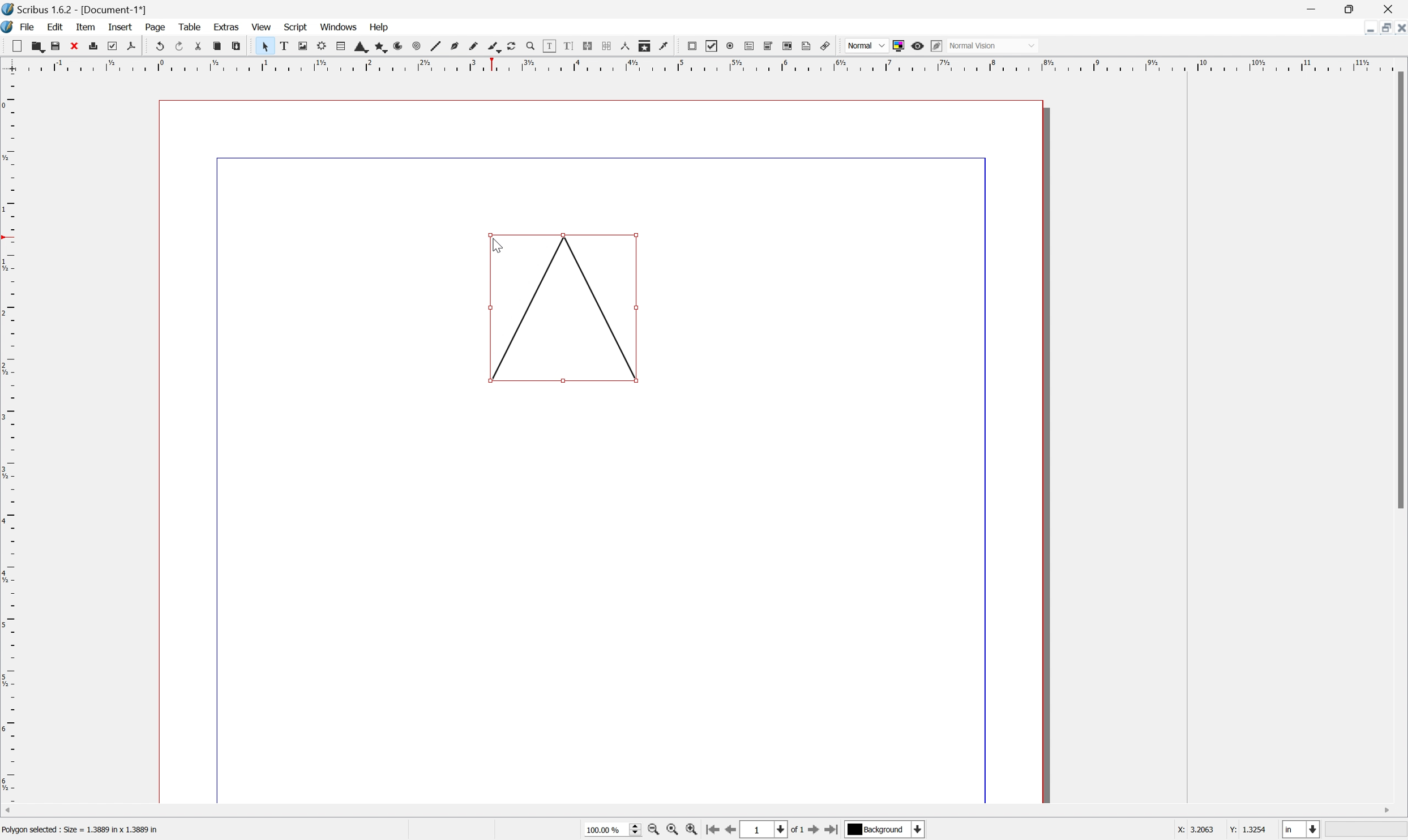  Describe the element at coordinates (827, 45) in the screenshot. I see `Link annotation` at that location.